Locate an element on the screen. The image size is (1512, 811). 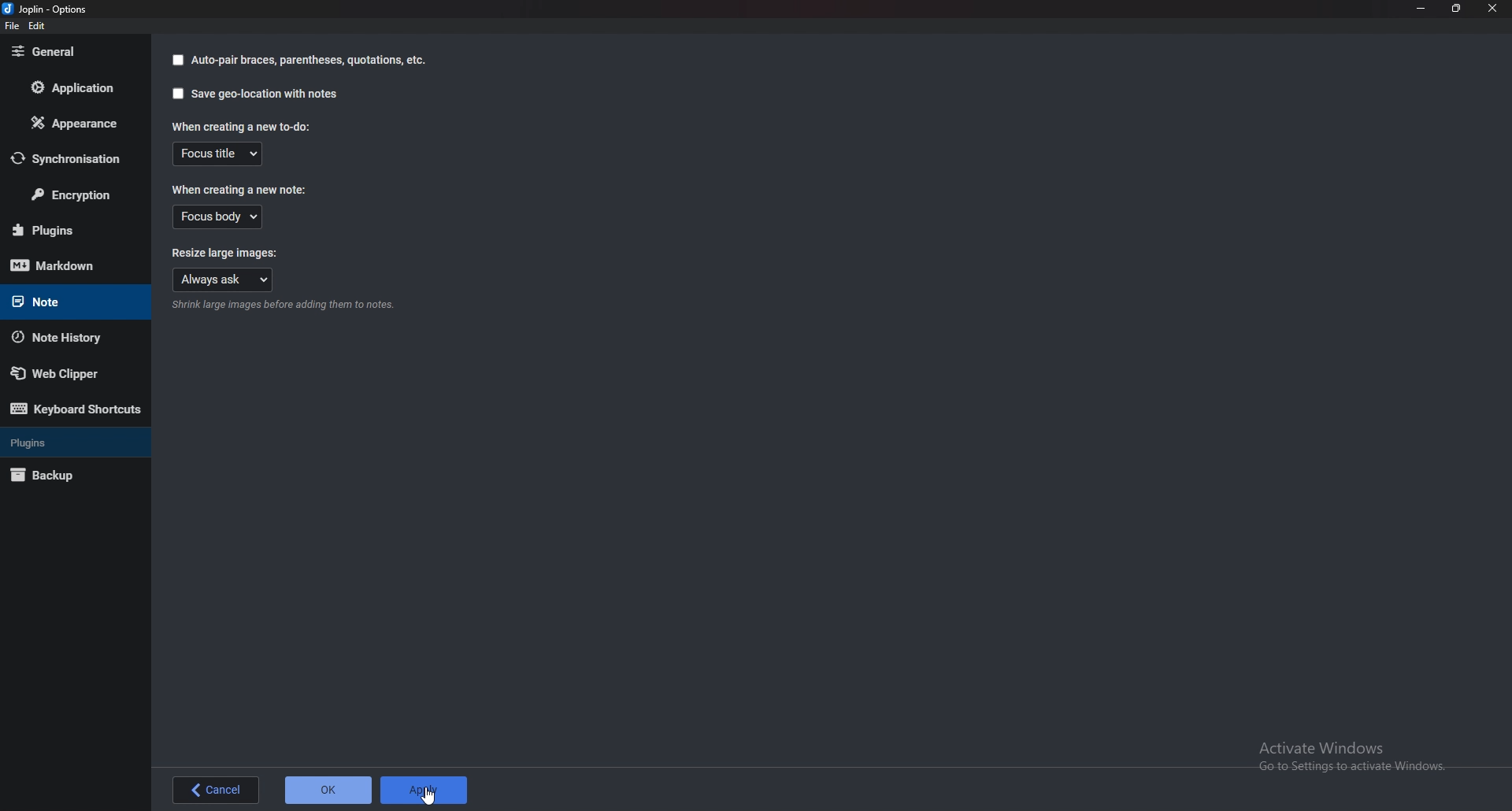
Apply is located at coordinates (425, 790).